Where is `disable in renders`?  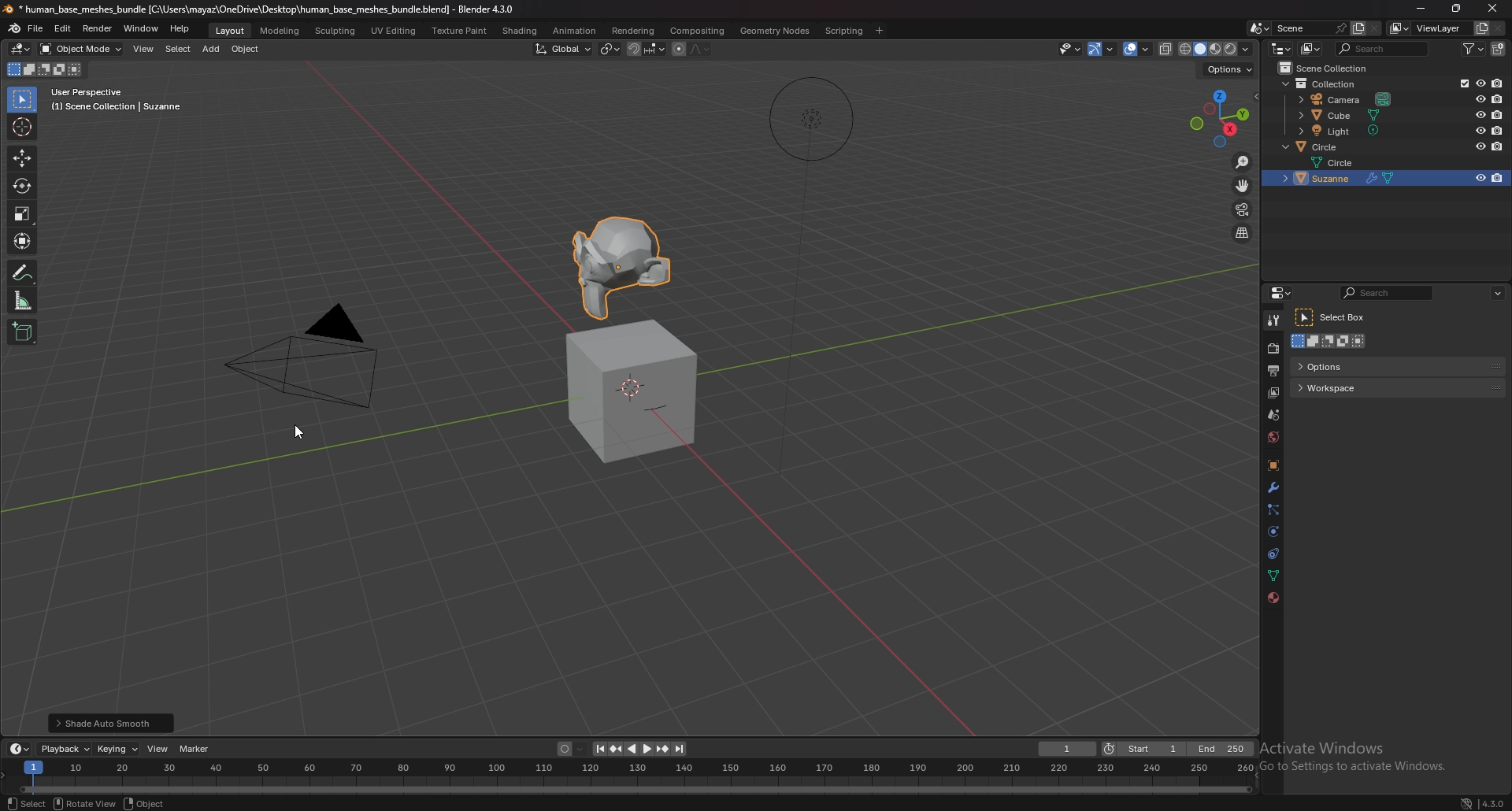
disable in renders is located at coordinates (1496, 113).